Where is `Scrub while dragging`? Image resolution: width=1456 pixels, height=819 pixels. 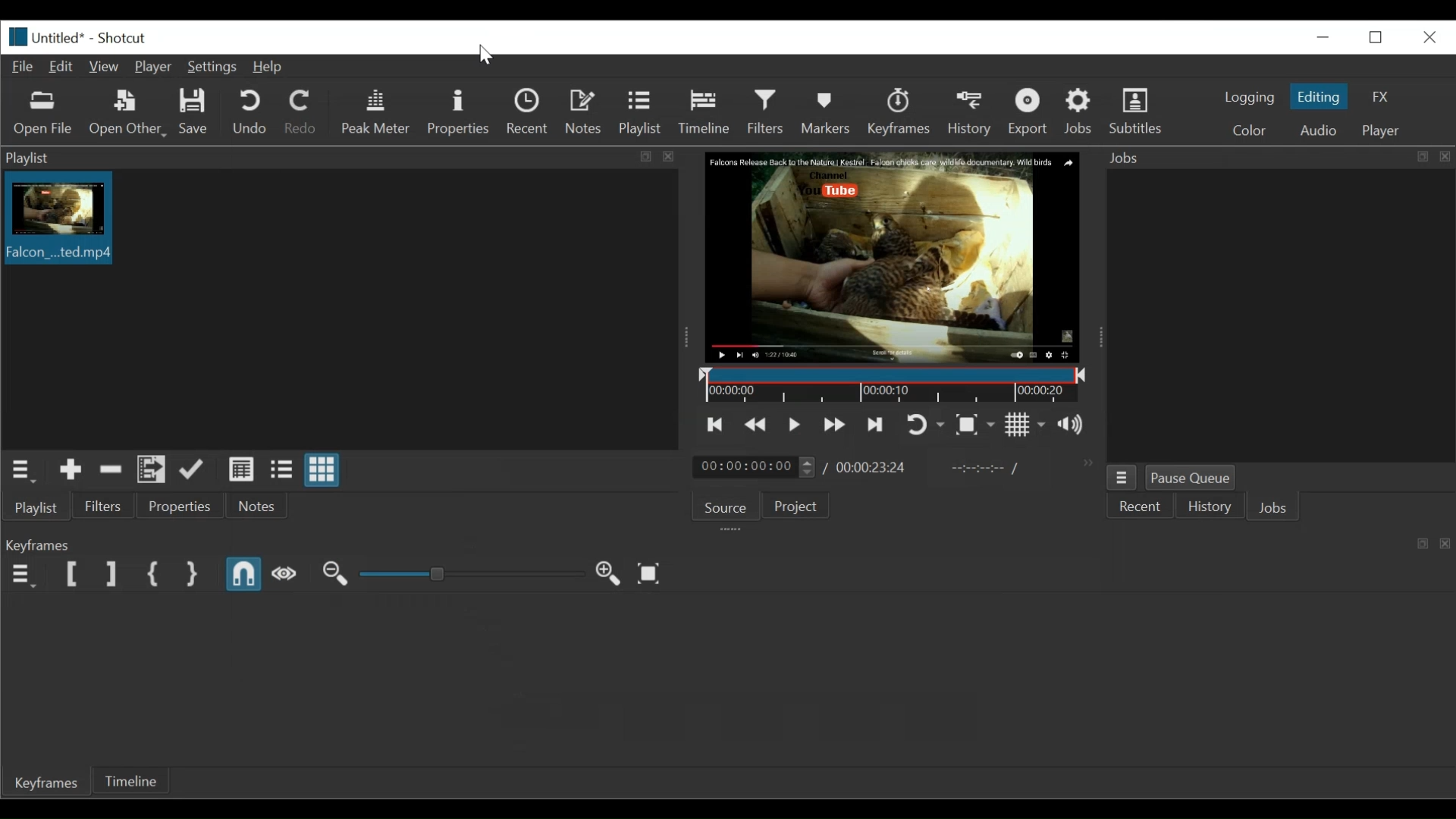 Scrub while dragging is located at coordinates (286, 577).